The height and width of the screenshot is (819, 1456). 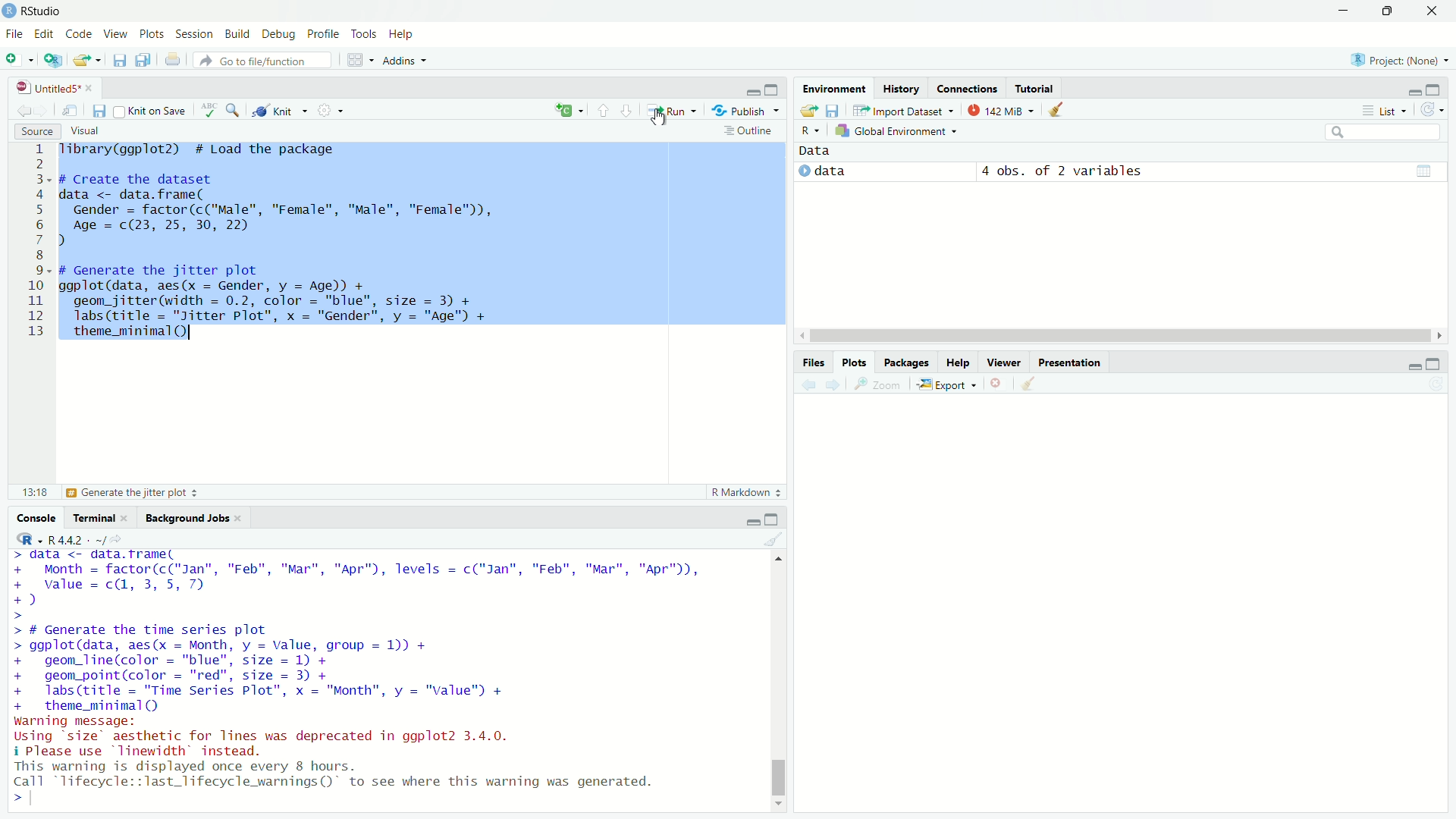 What do you see at coordinates (660, 117) in the screenshot?
I see `cursor` at bounding box center [660, 117].